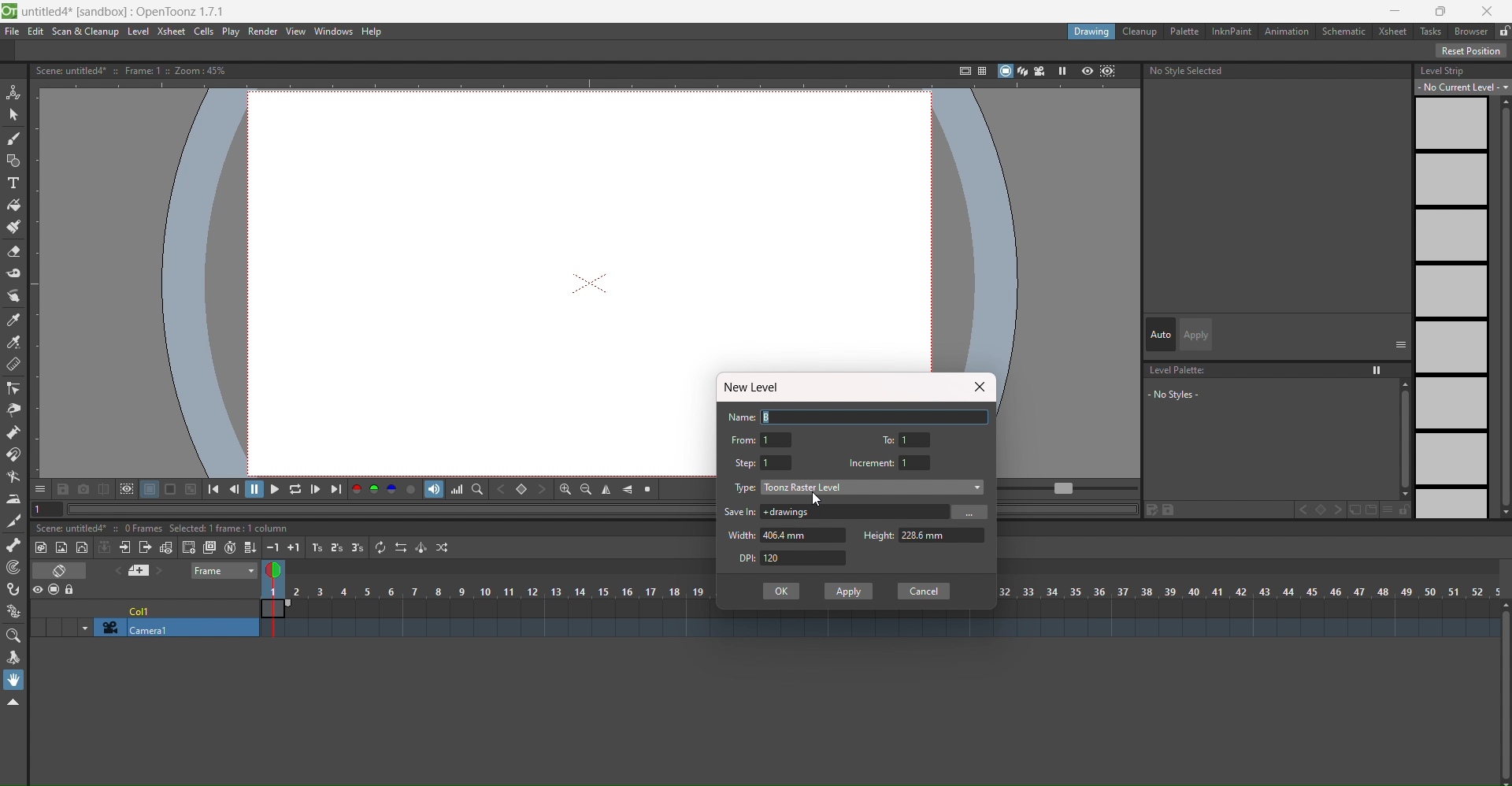  What do you see at coordinates (746, 488) in the screenshot?
I see `type` at bounding box center [746, 488].